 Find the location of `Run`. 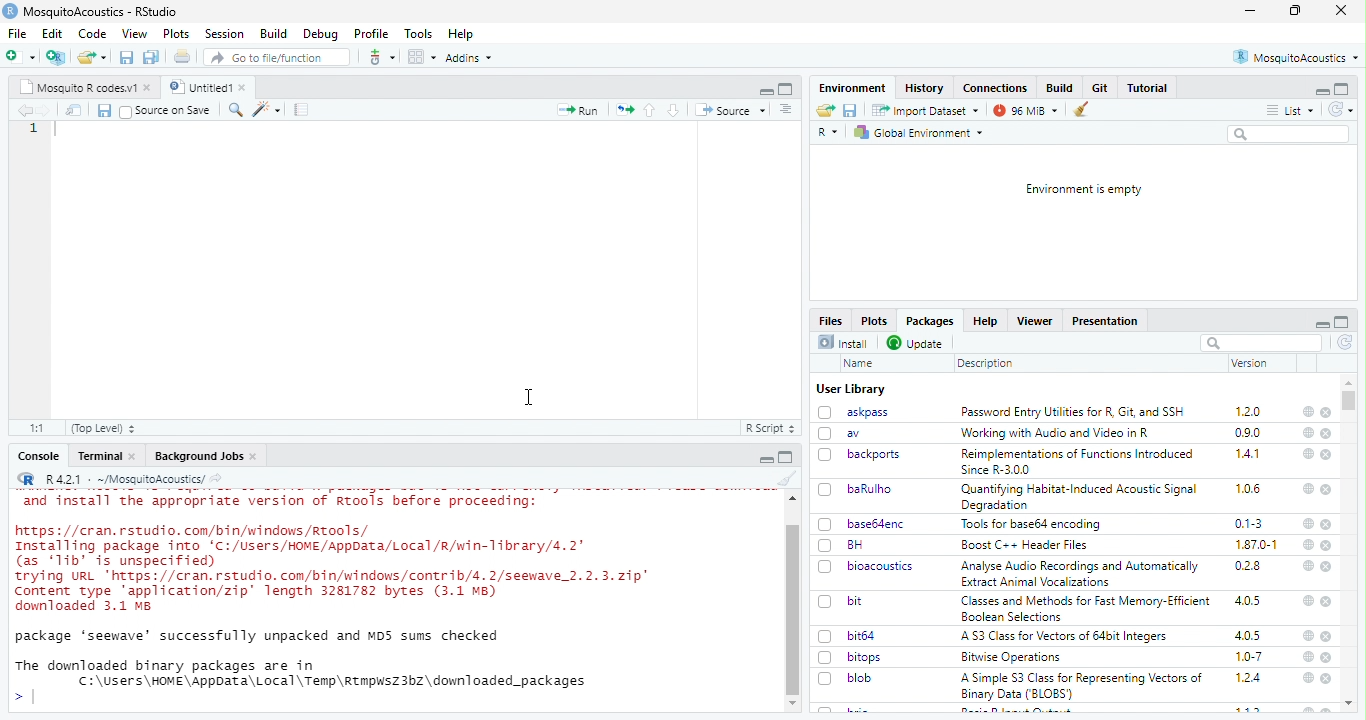

Run is located at coordinates (577, 110).